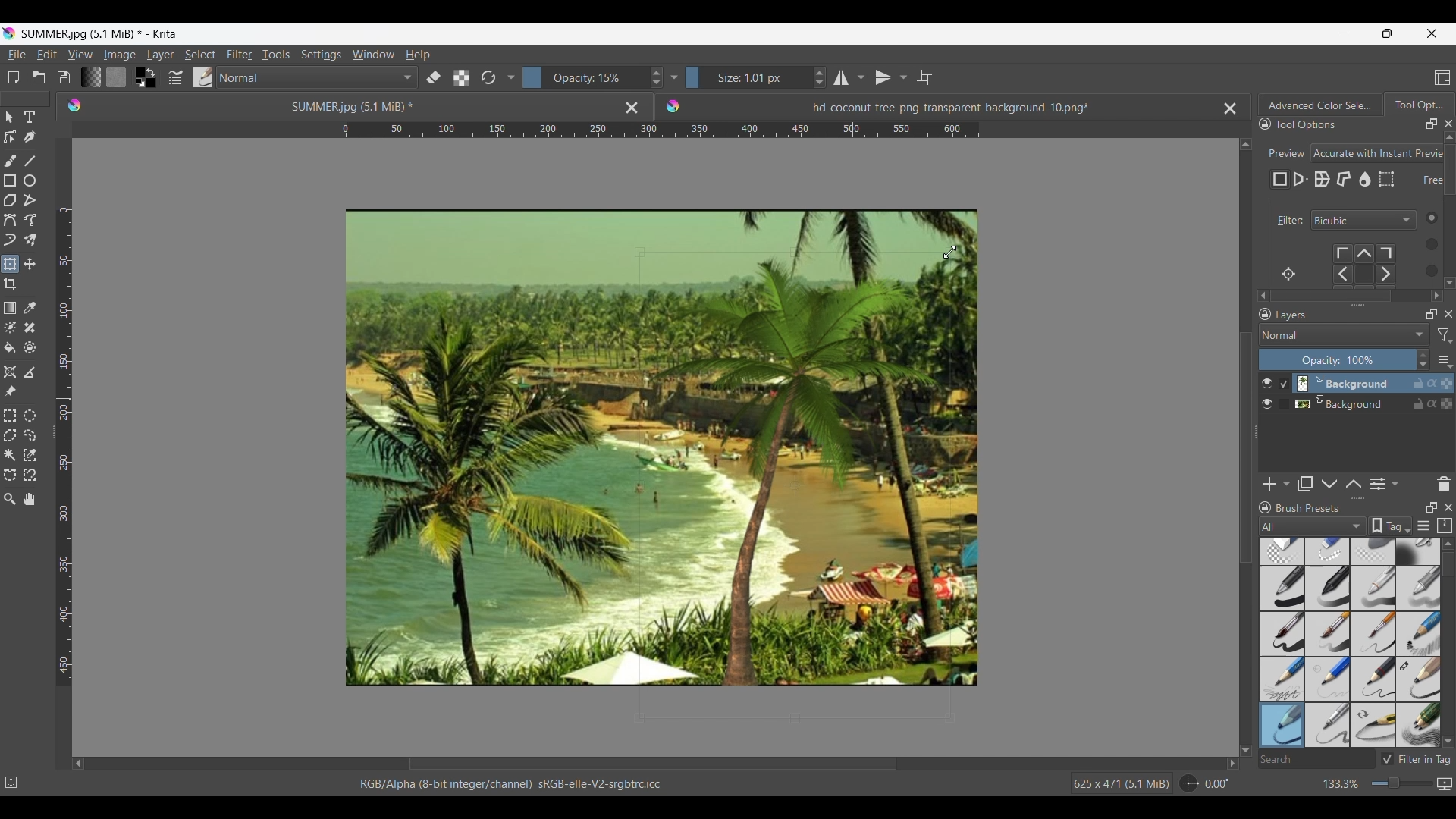 The width and height of the screenshot is (1456, 819). I want to click on Choose brush preset, so click(202, 77).